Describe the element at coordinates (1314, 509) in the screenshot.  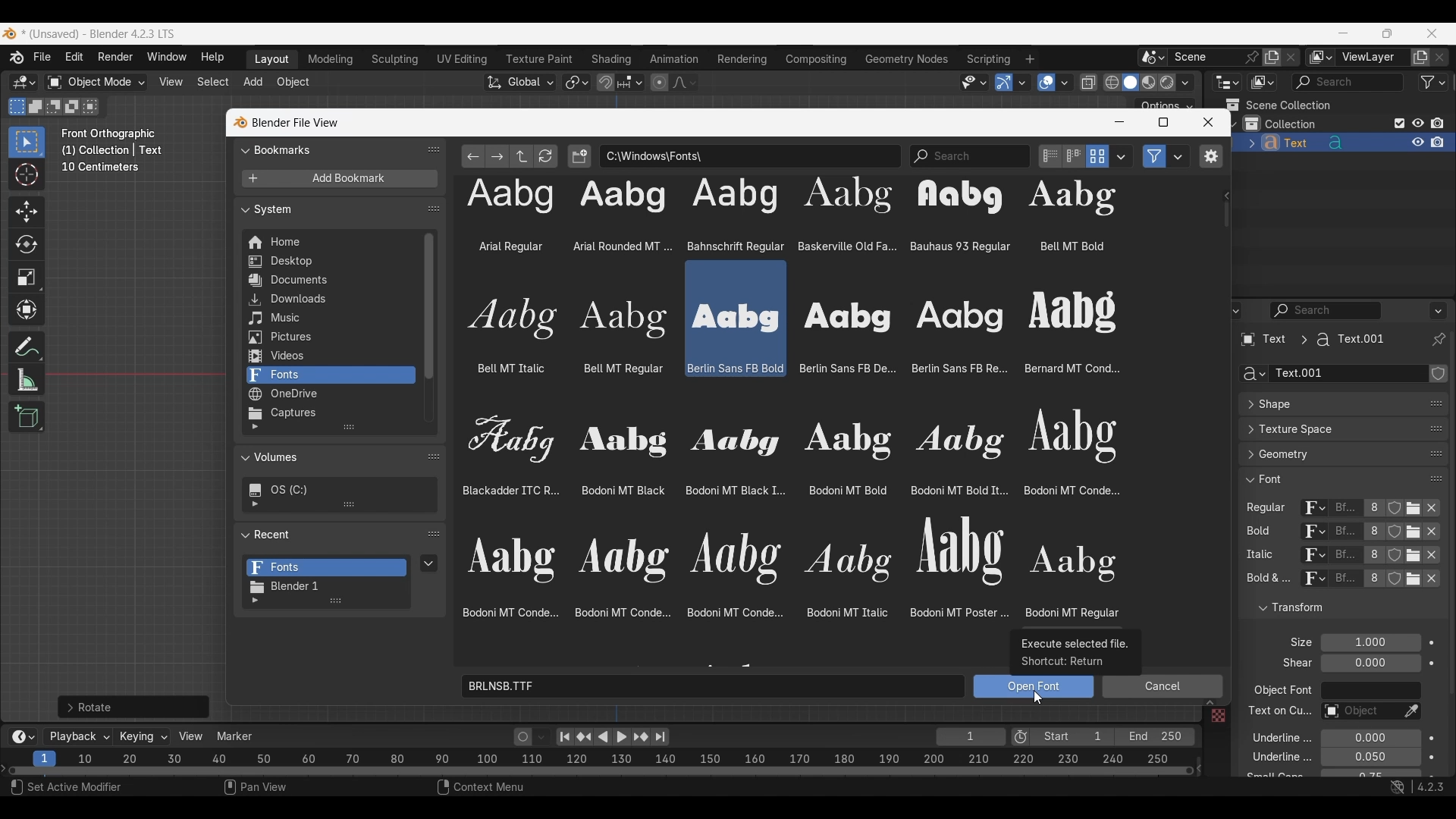
I see `Browse ID data to be linked for respective attribute` at that location.